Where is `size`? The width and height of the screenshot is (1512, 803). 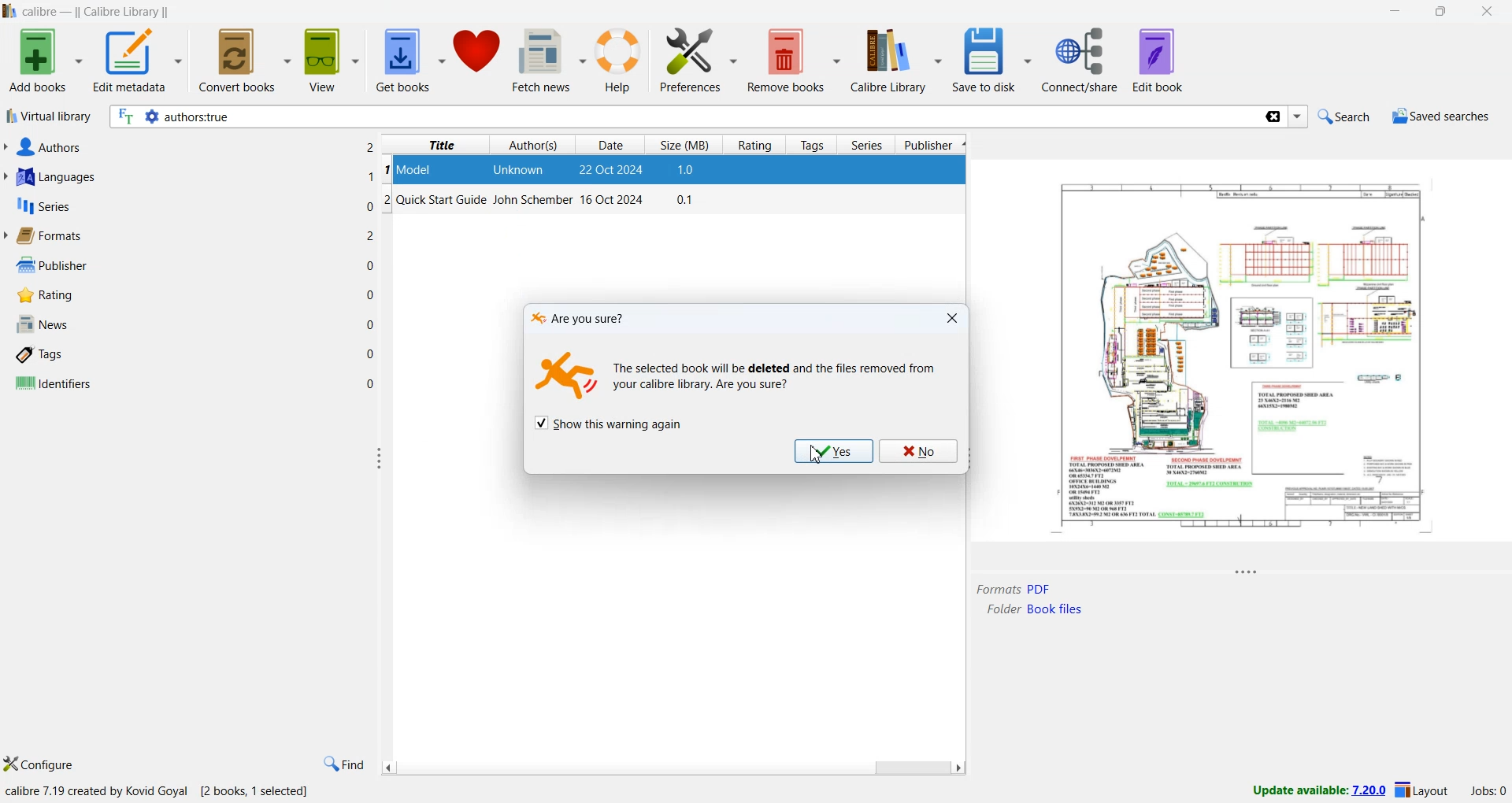 size is located at coordinates (687, 171).